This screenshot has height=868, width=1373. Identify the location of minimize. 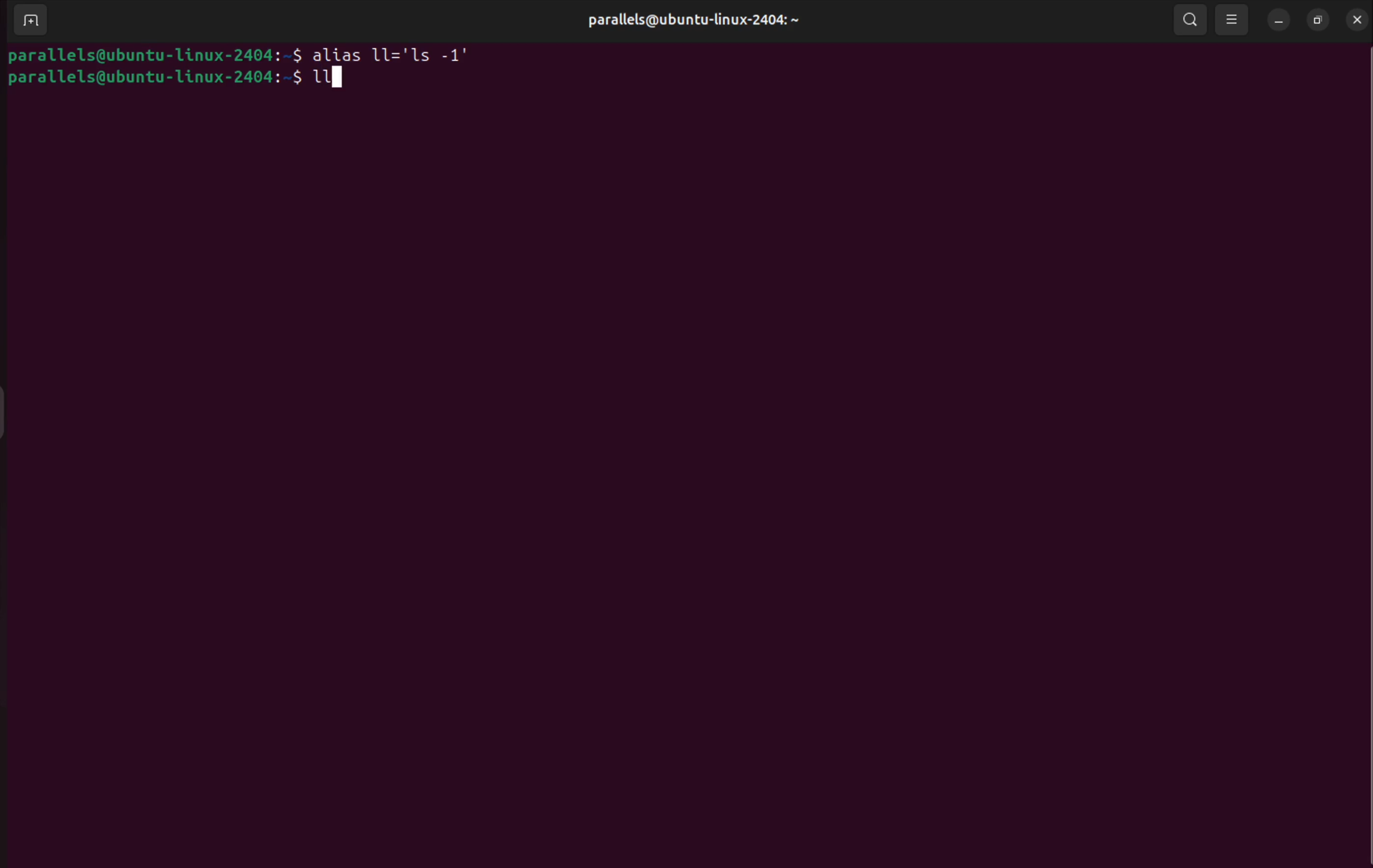
(1279, 22).